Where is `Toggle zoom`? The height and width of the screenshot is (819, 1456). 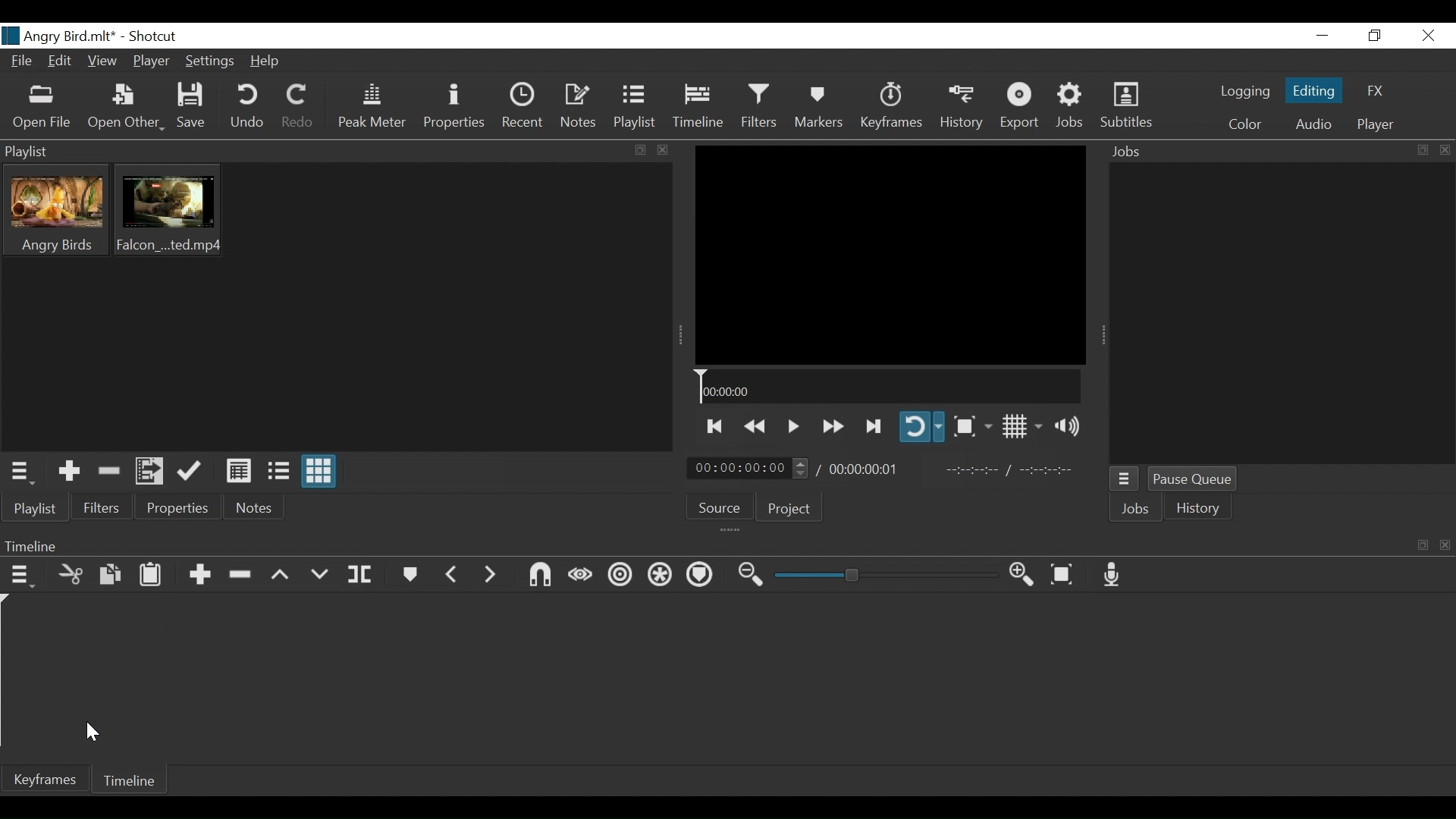 Toggle zoom is located at coordinates (973, 427).